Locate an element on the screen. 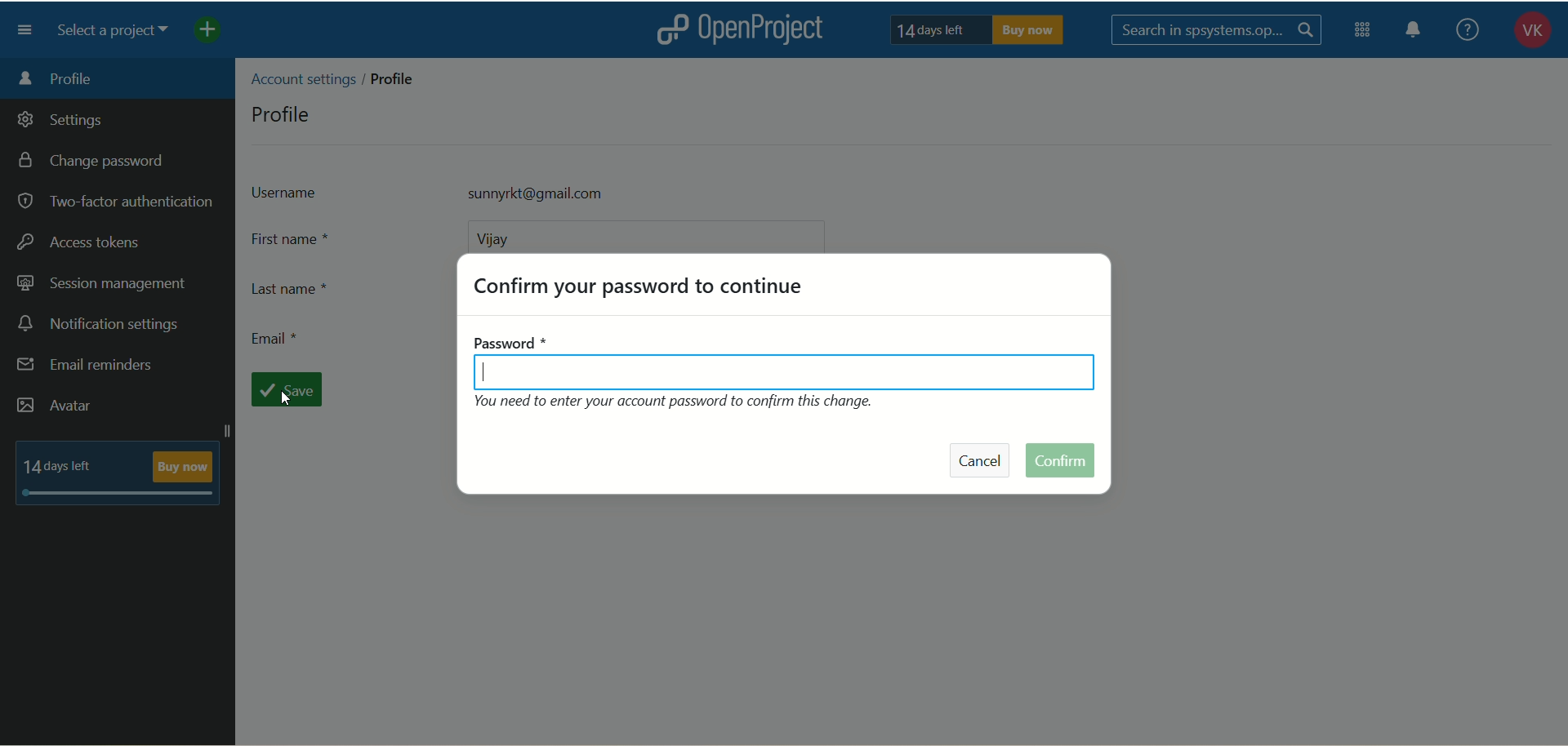 Image resolution: width=1568 pixels, height=746 pixels. menu is located at coordinates (29, 30).